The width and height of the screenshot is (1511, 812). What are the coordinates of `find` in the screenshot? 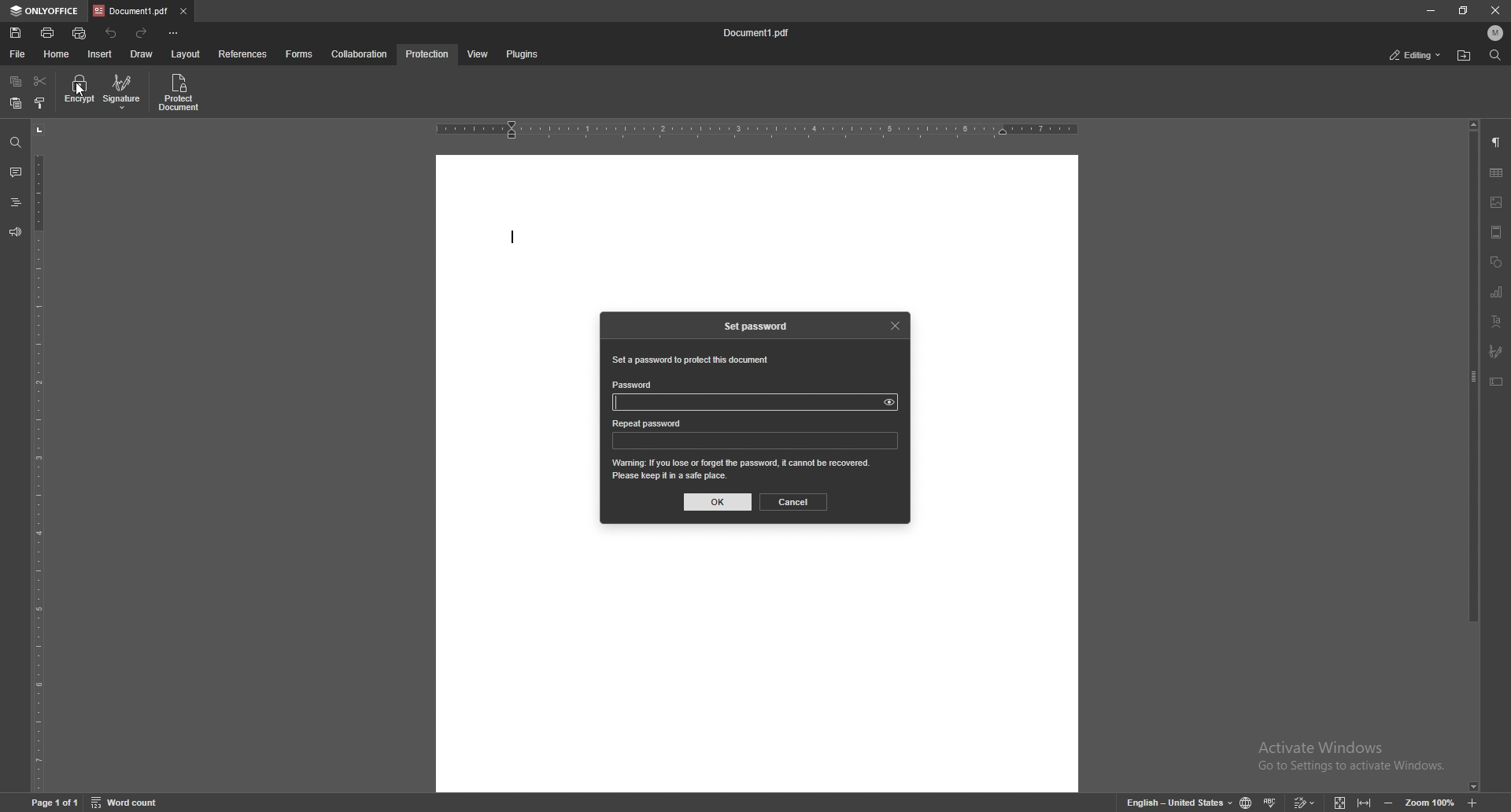 It's located at (15, 142).